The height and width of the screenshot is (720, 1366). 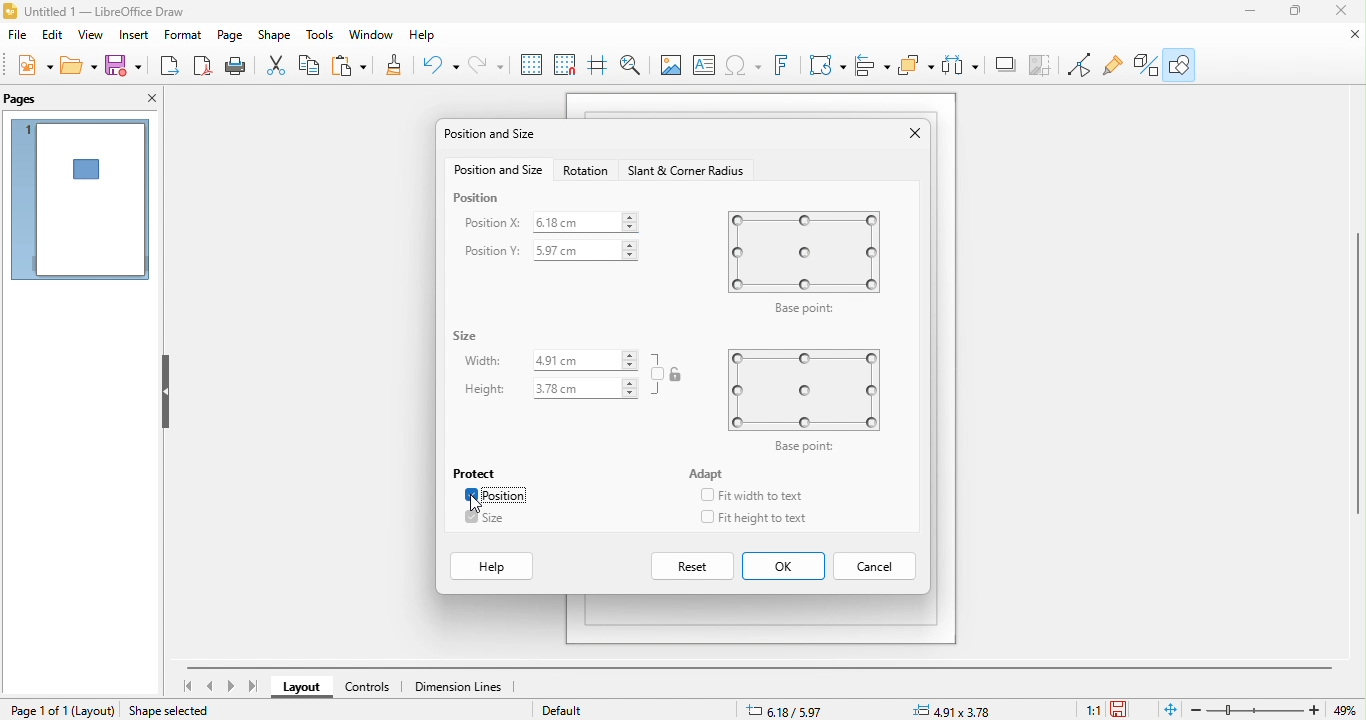 I want to click on format, so click(x=185, y=37).